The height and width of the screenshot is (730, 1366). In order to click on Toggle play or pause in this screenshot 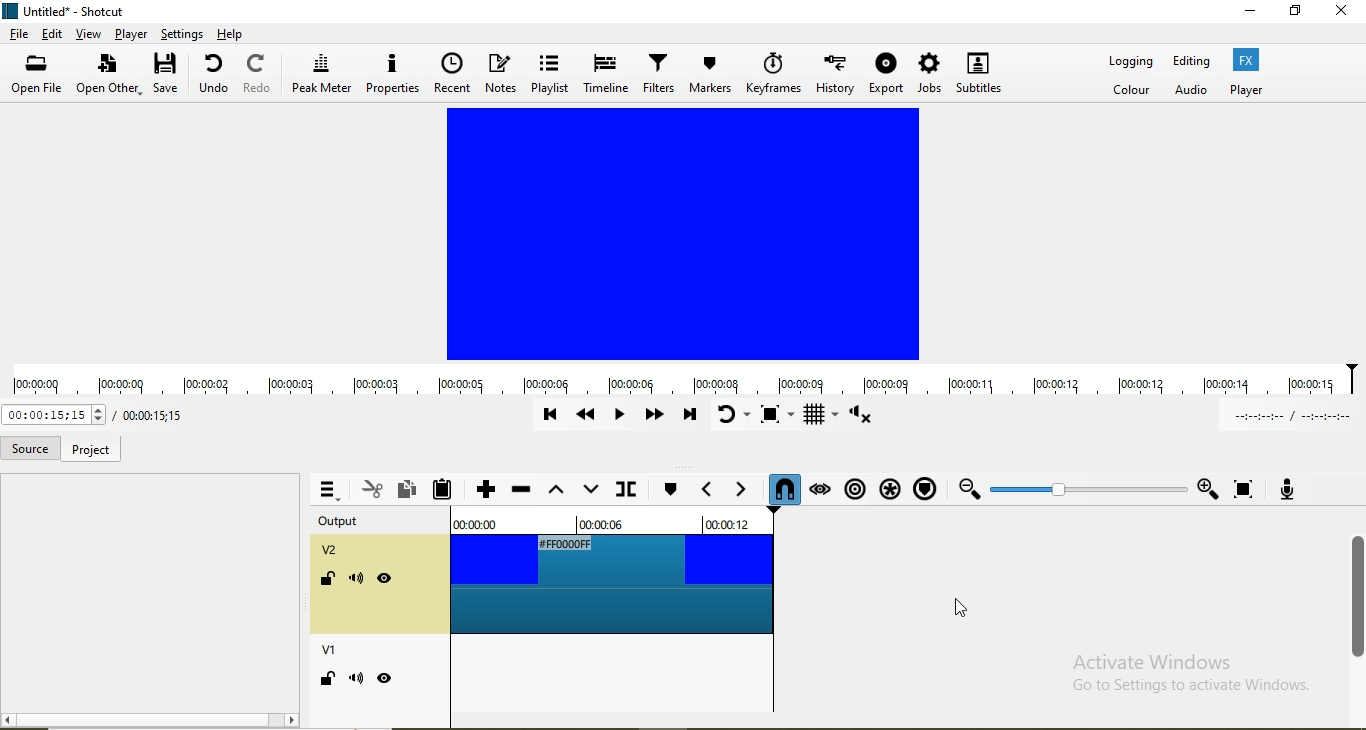, I will do `click(622, 419)`.